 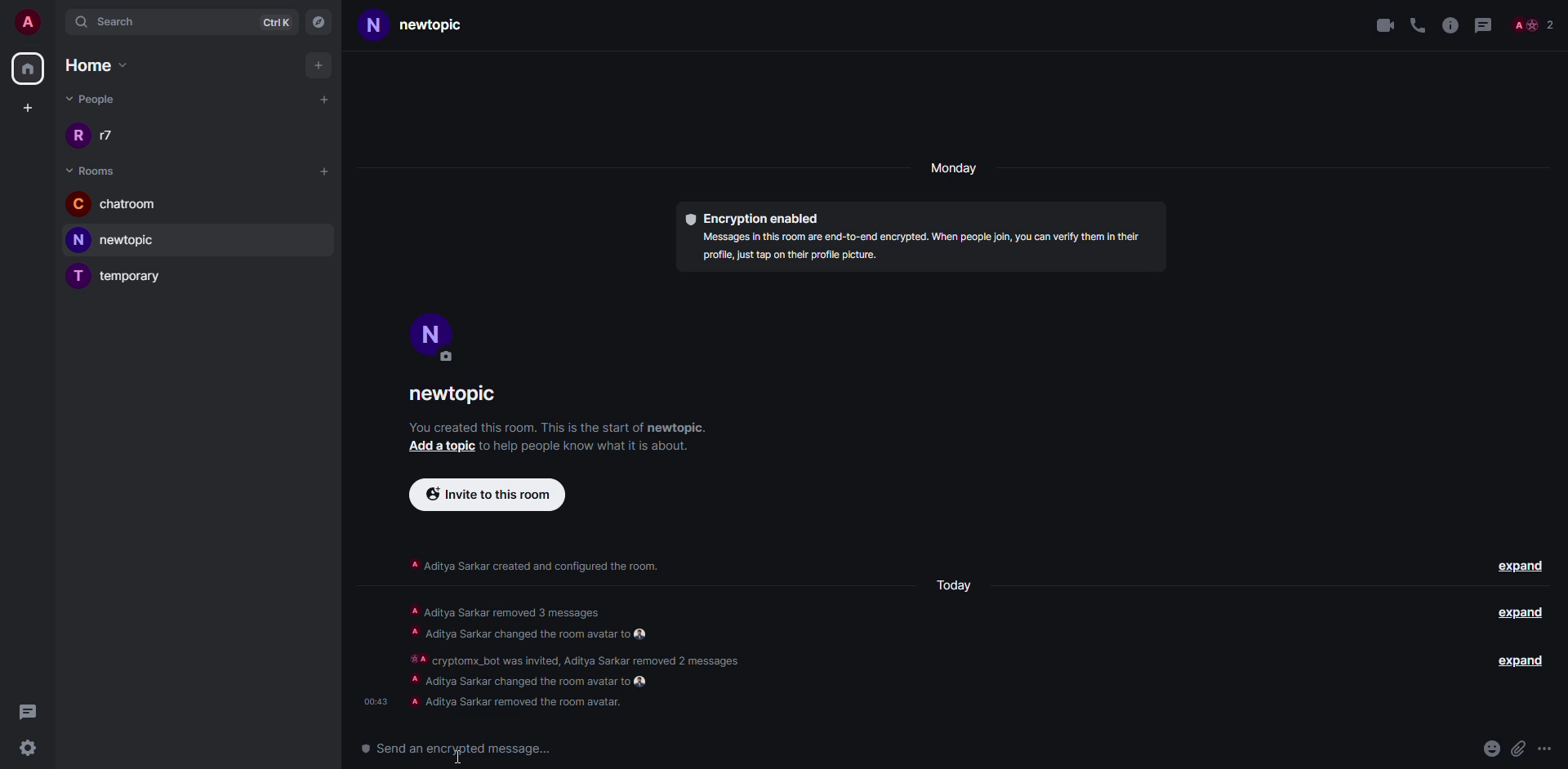 What do you see at coordinates (1383, 24) in the screenshot?
I see `video call` at bounding box center [1383, 24].